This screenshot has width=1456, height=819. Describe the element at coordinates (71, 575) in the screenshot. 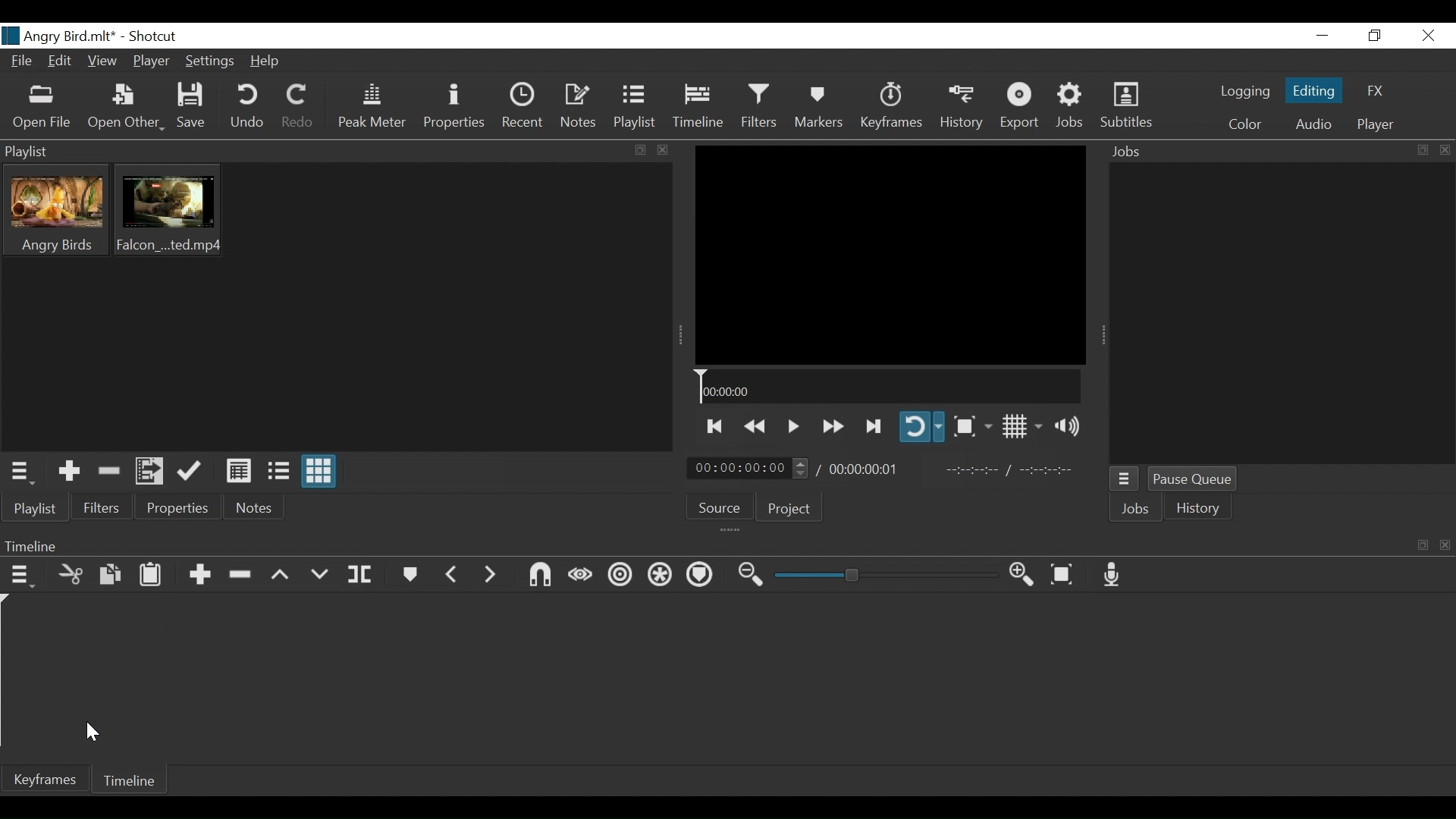

I see `Cut` at that location.